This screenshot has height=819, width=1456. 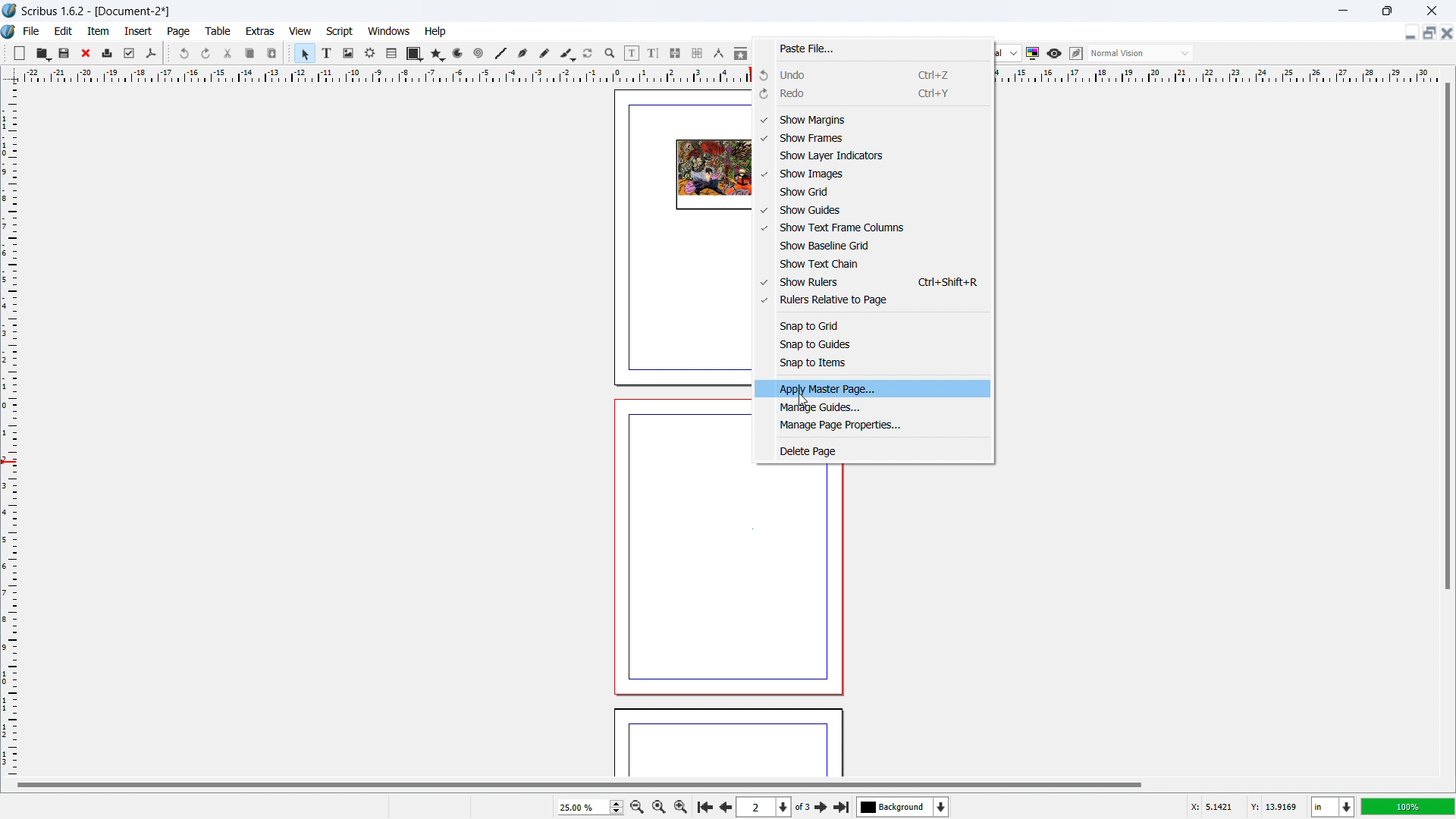 I want to click on delete page, so click(x=874, y=450).